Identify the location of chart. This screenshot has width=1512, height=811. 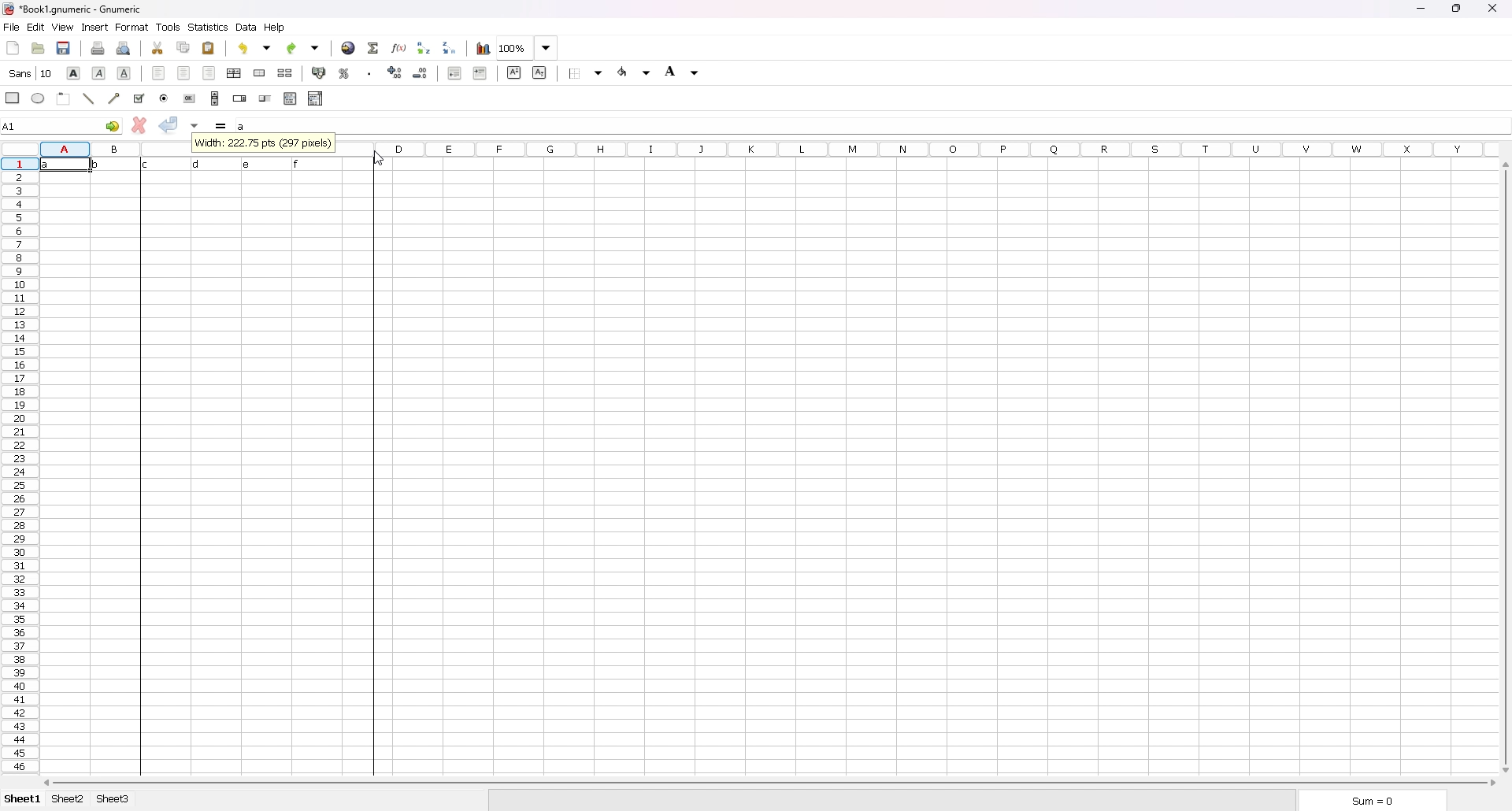
(482, 48).